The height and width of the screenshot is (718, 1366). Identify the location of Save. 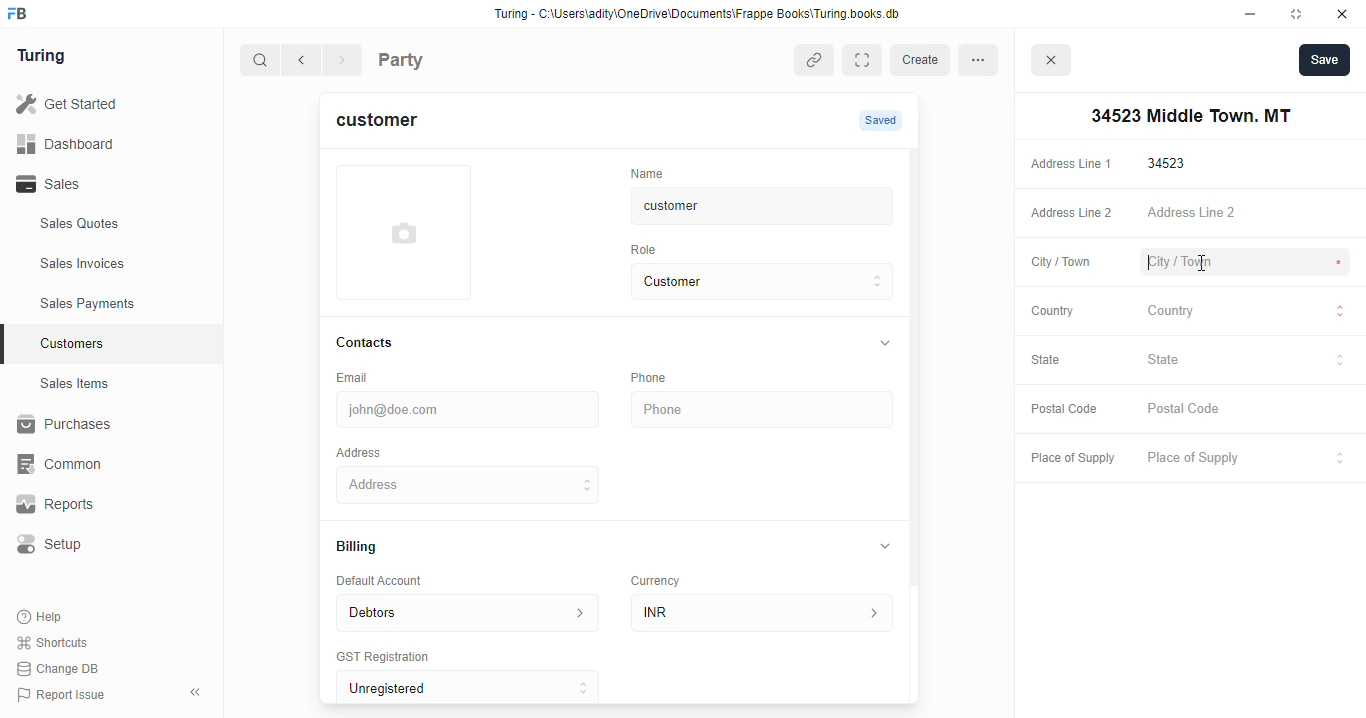
(1324, 59).